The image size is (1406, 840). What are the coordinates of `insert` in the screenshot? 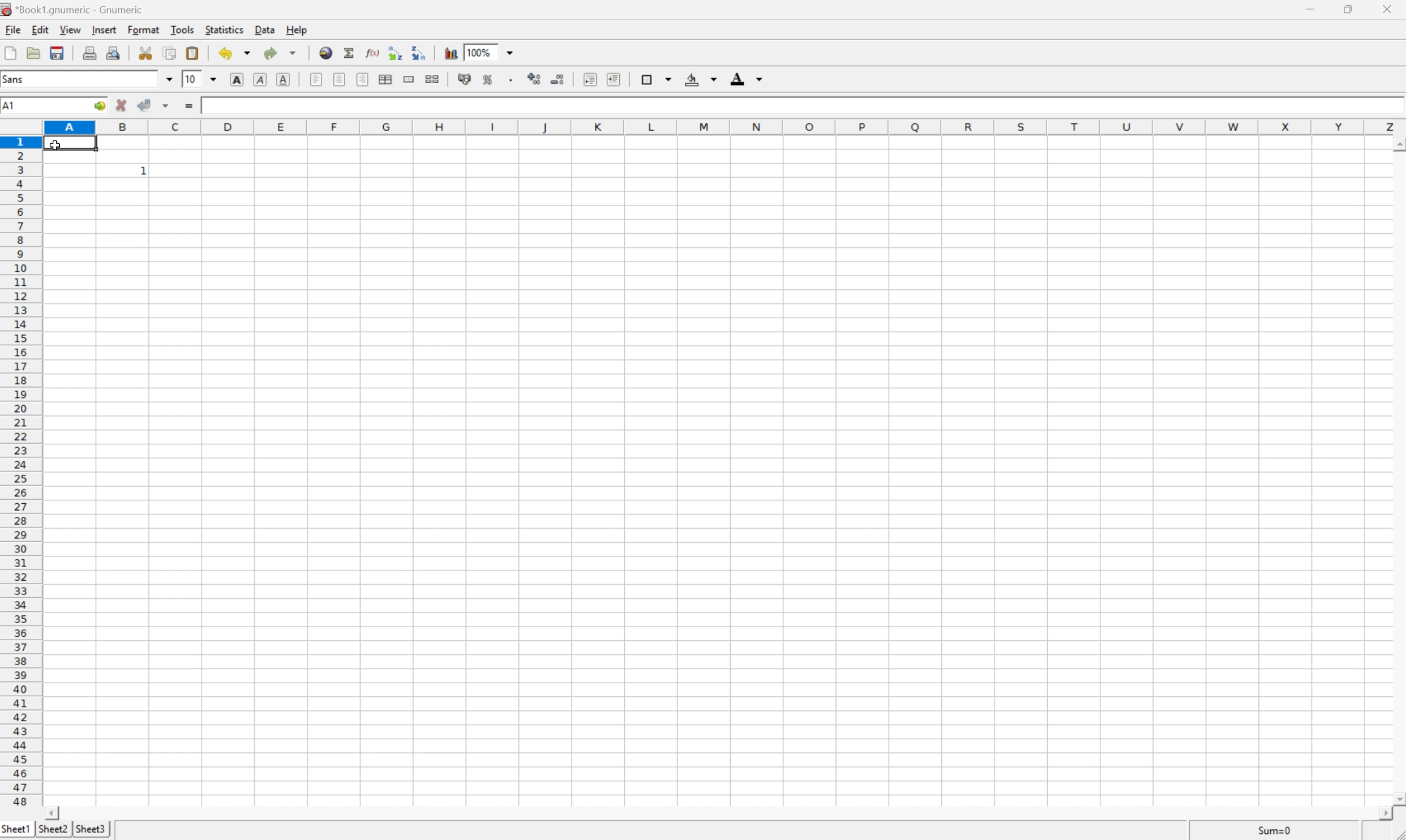 It's located at (104, 30).